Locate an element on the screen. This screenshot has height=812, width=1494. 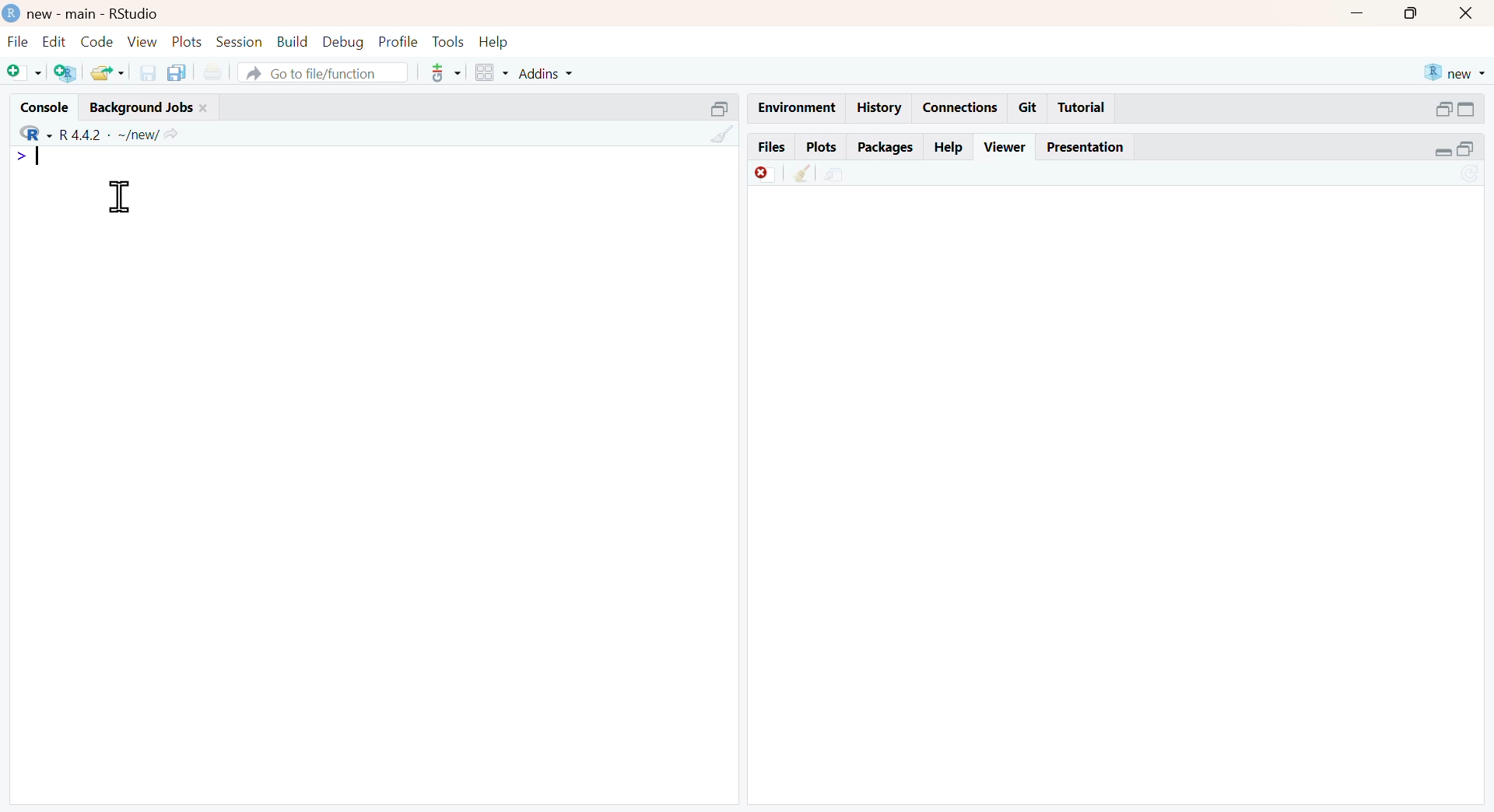
help is located at coordinates (948, 148).